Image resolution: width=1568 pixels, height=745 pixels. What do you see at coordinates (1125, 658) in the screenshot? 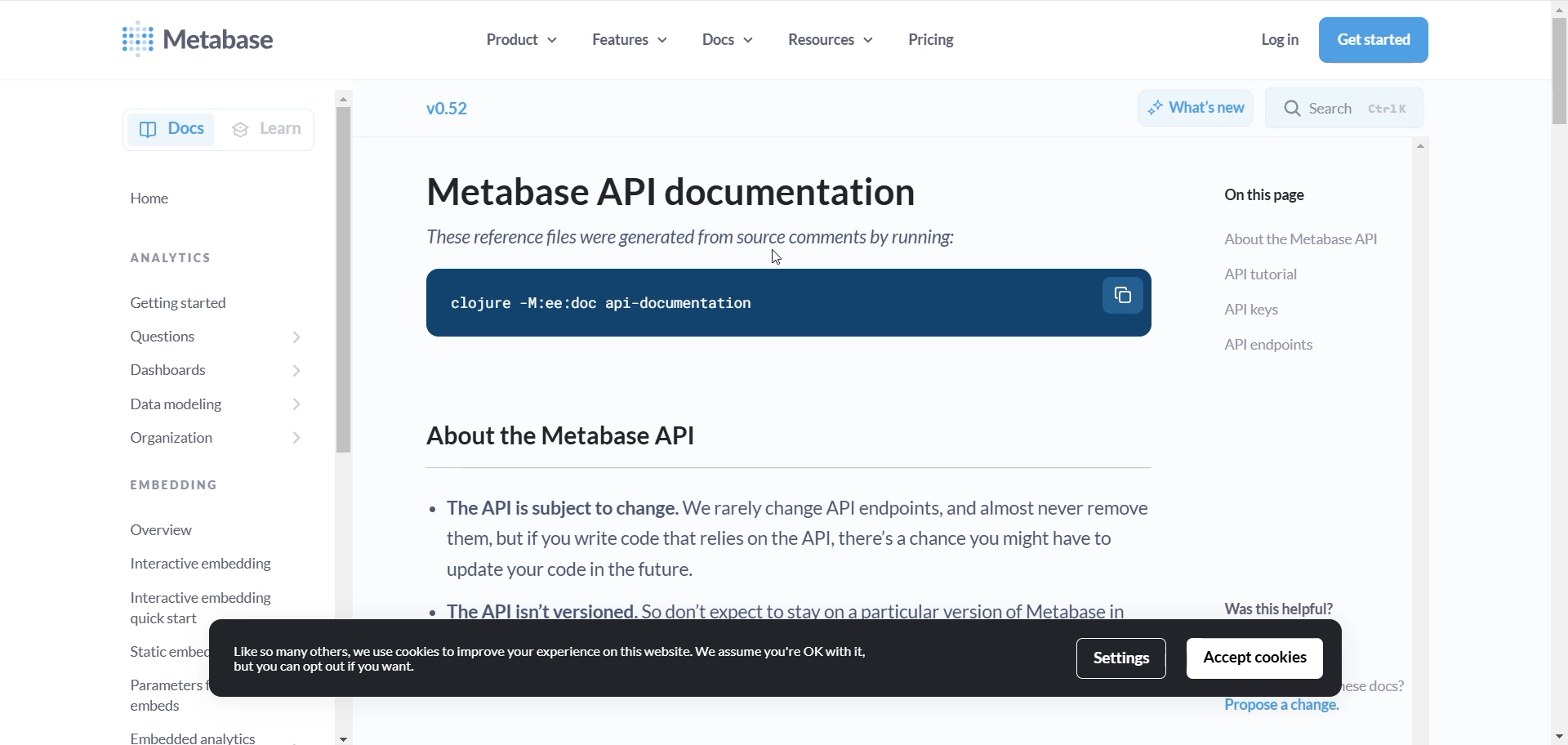
I see `settings` at bounding box center [1125, 658].